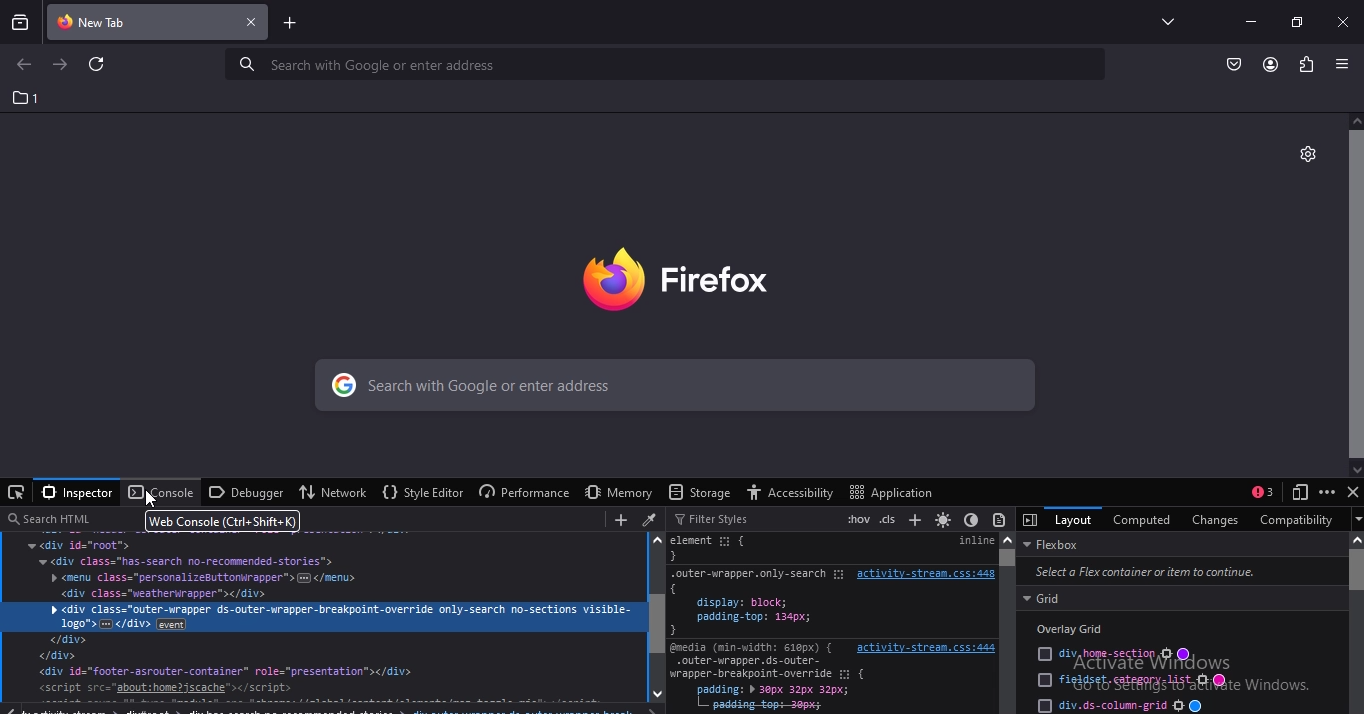  Describe the element at coordinates (676, 386) in the screenshot. I see `search` at that location.